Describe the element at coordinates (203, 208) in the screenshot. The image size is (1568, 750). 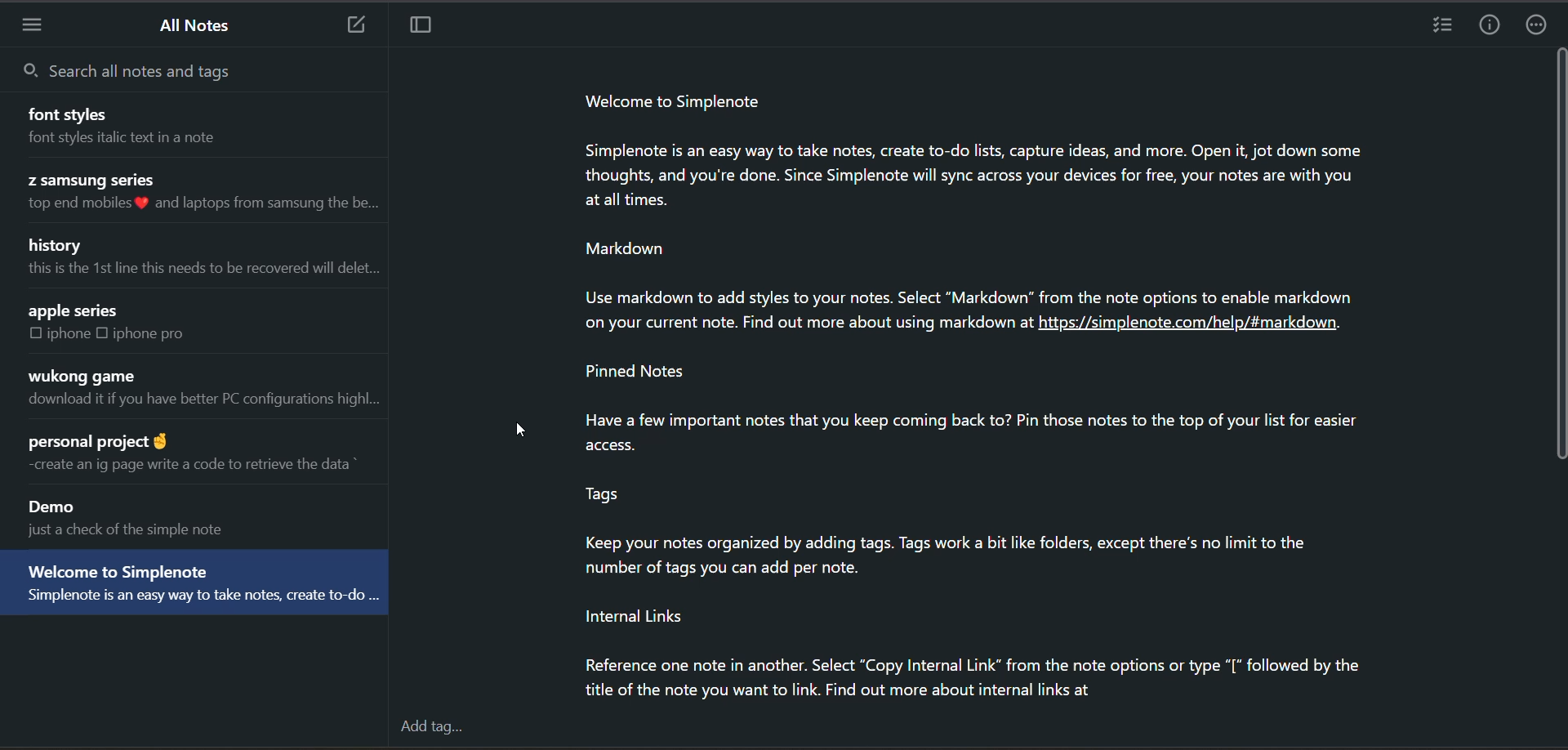
I see `top end mobiles 8 and laptops from samsung the be` at that location.